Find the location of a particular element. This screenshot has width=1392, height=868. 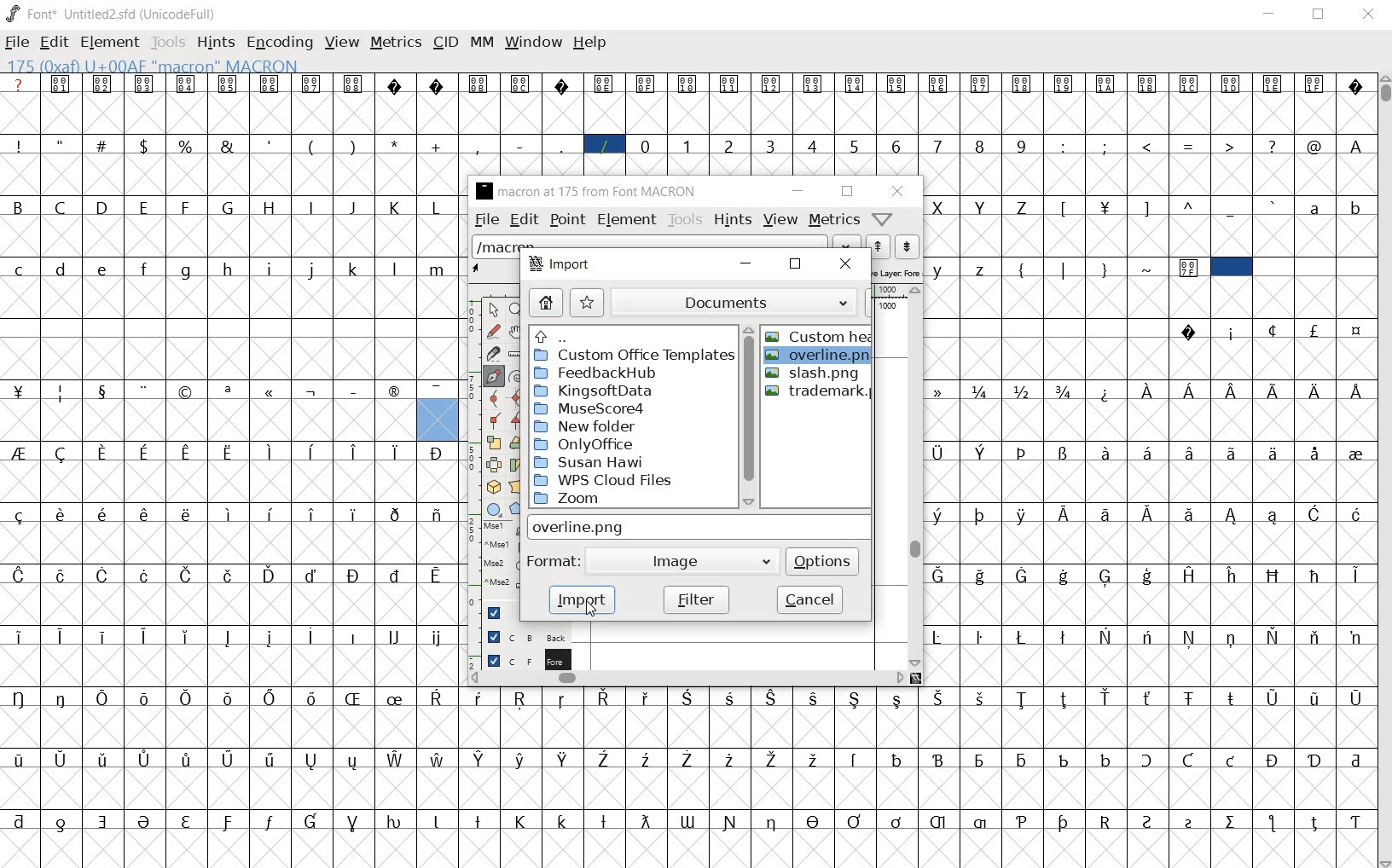

Symbol is located at coordinates (1147, 390).